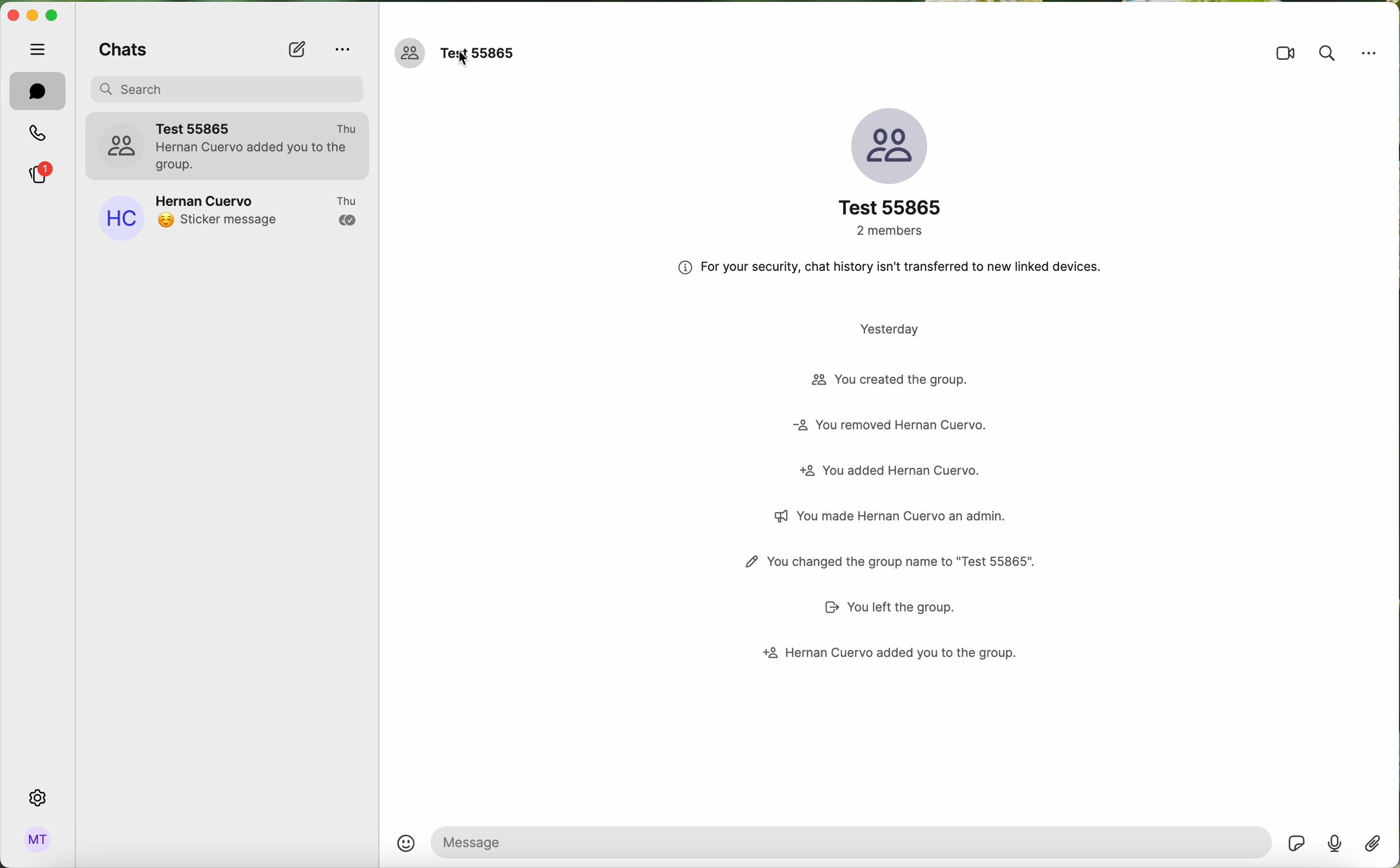 This screenshot has height=868, width=1400. I want to click on message window, so click(851, 842).